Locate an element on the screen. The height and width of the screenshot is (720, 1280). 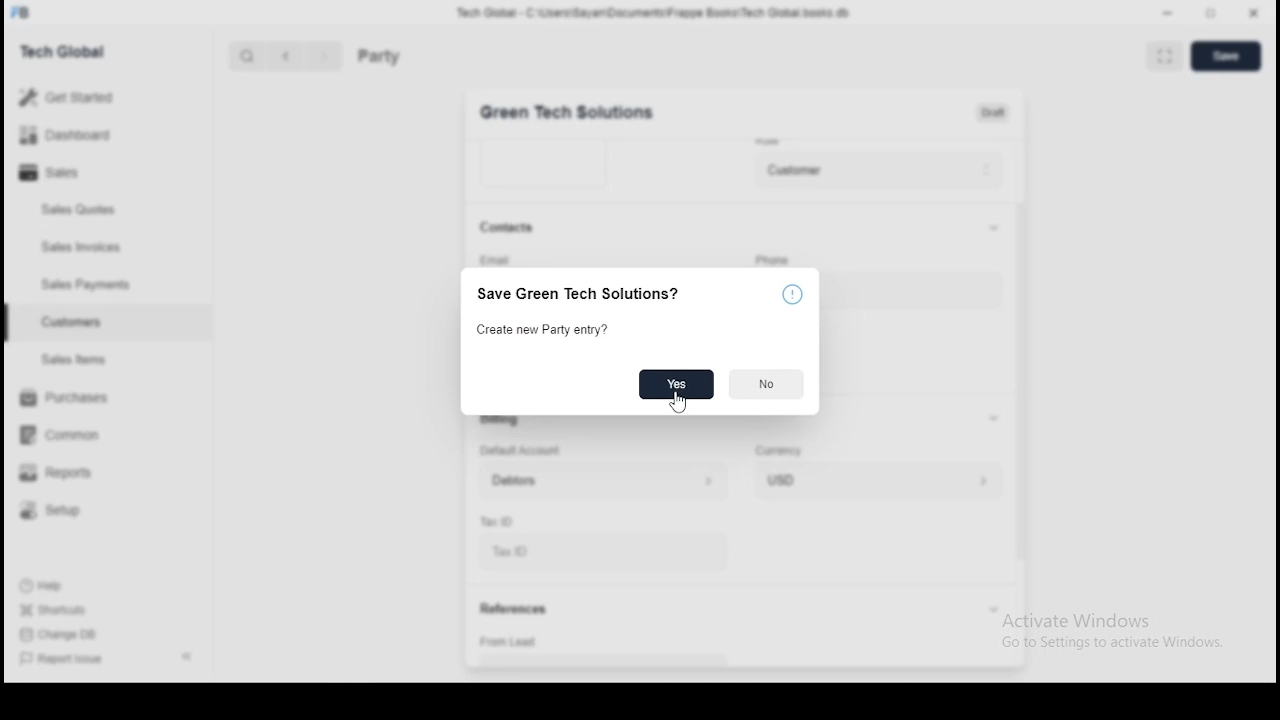
mouse pointer is located at coordinates (678, 405).